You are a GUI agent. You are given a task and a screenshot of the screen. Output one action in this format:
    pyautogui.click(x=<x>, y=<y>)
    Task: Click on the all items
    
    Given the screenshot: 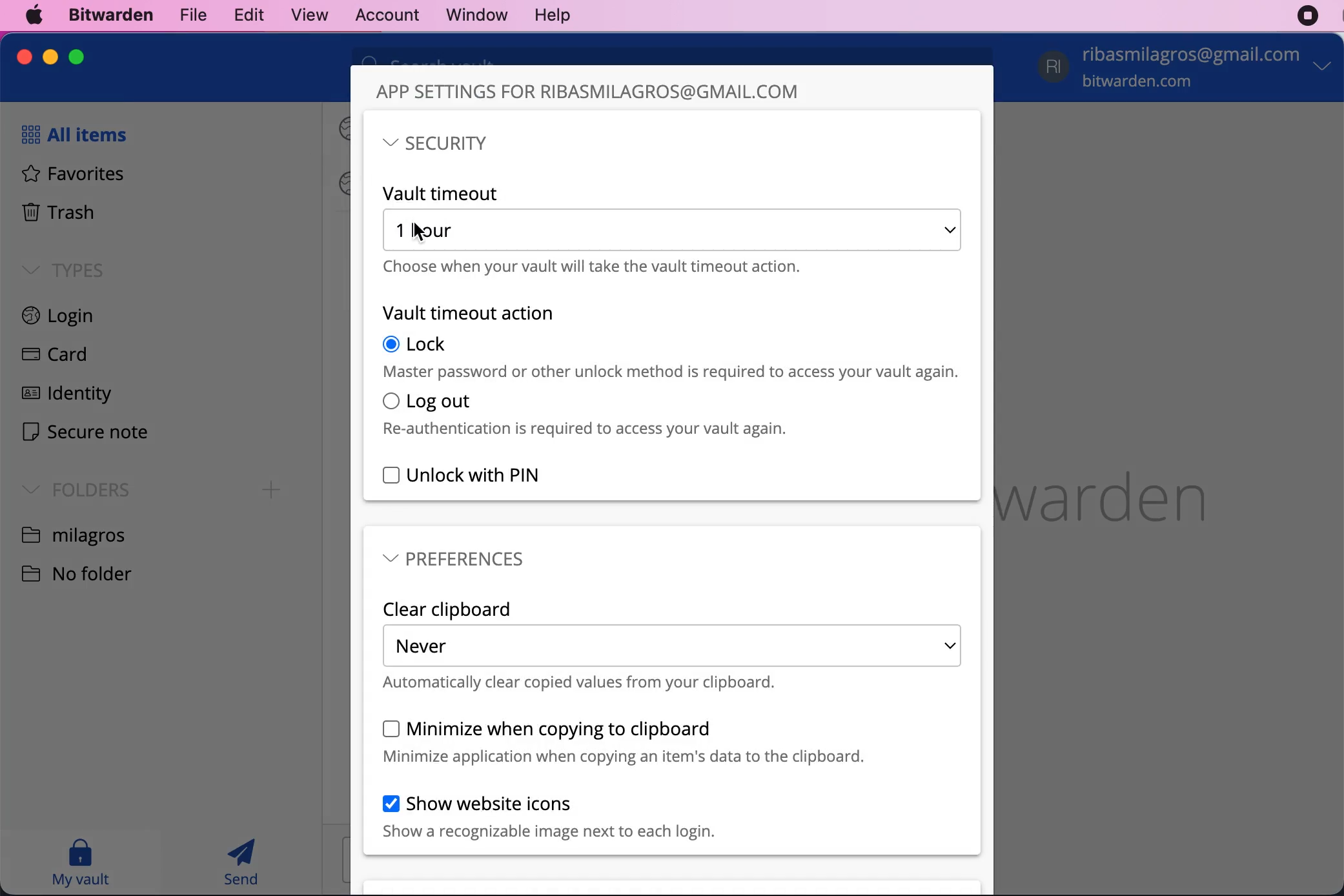 What is the action you would take?
    pyautogui.click(x=70, y=134)
    